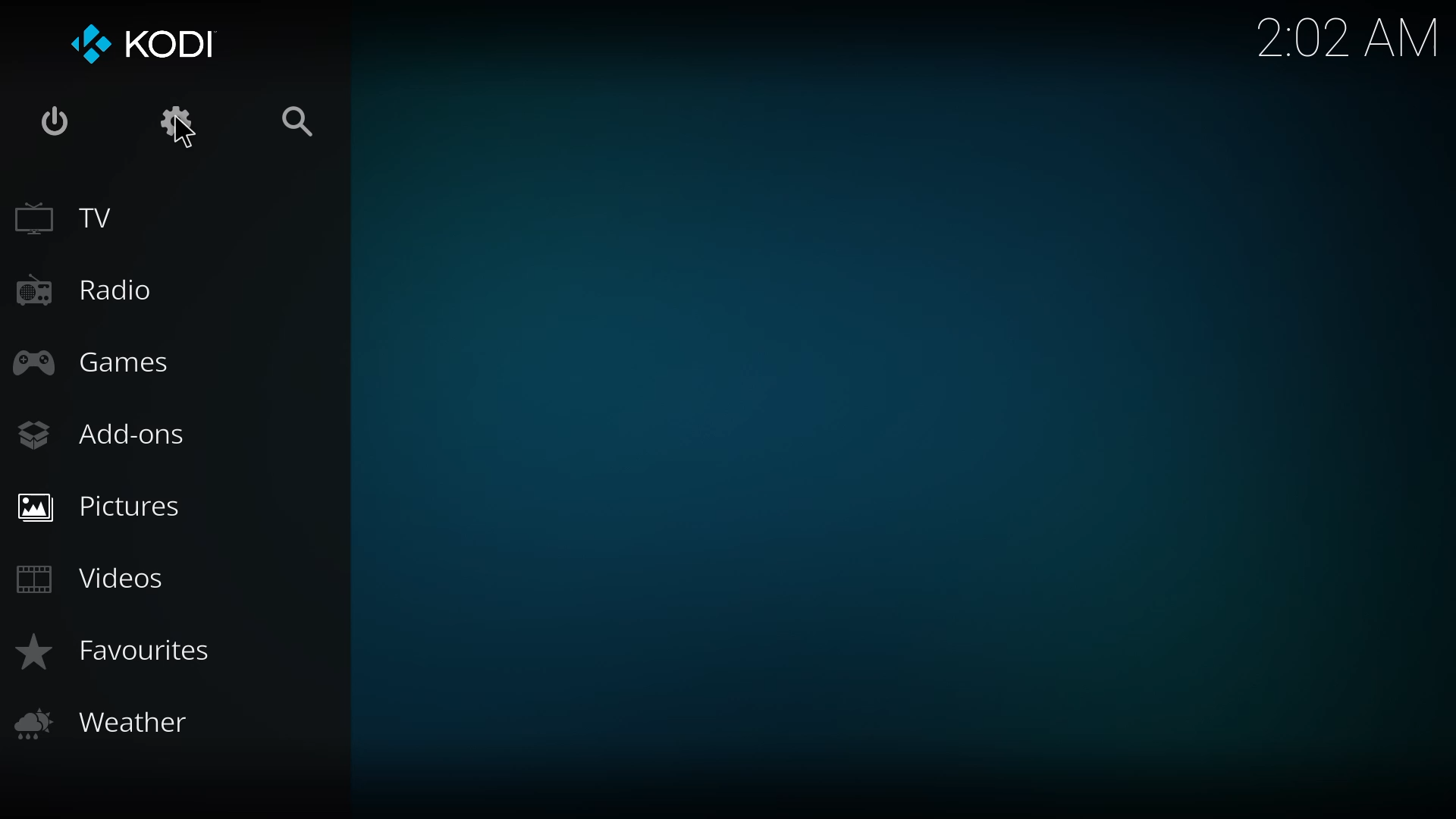  Describe the element at coordinates (121, 649) in the screenshot. I see `favorites` at that location.